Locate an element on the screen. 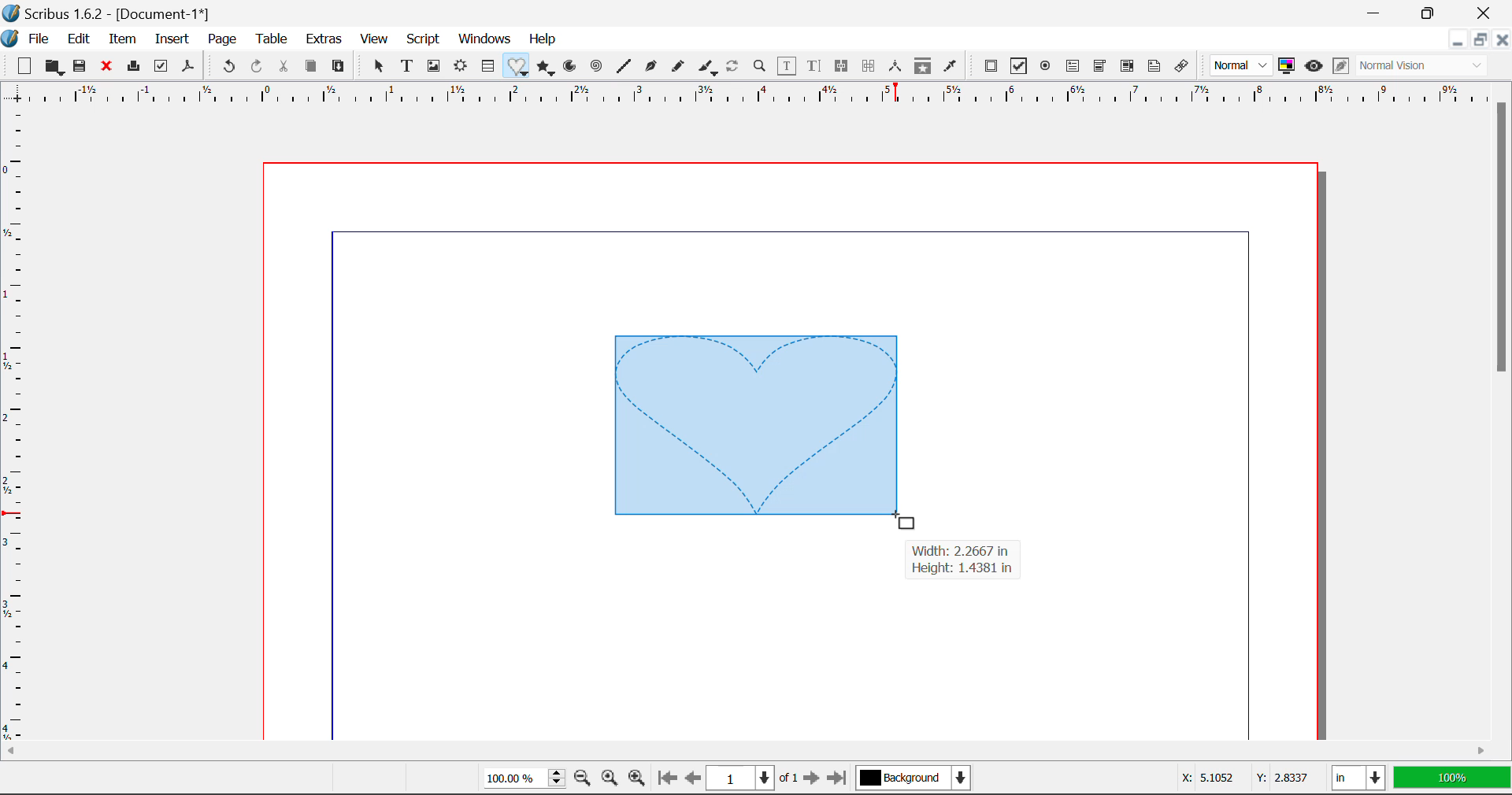 Image resolution: width=1512 pixels, height=795 pixels. 100% is located at coordinates (520, 780).